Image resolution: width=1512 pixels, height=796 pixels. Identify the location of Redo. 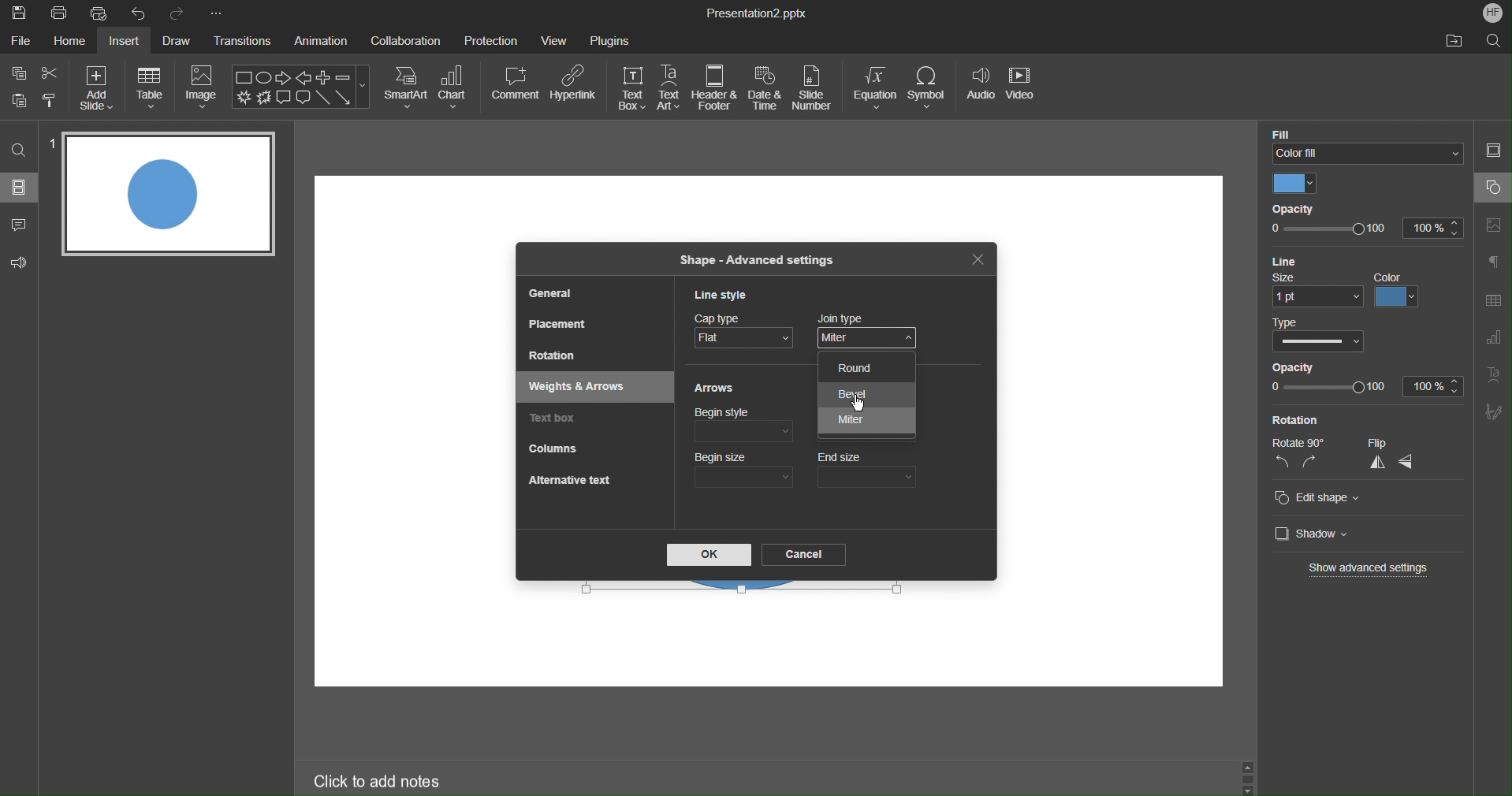
(178, 13).